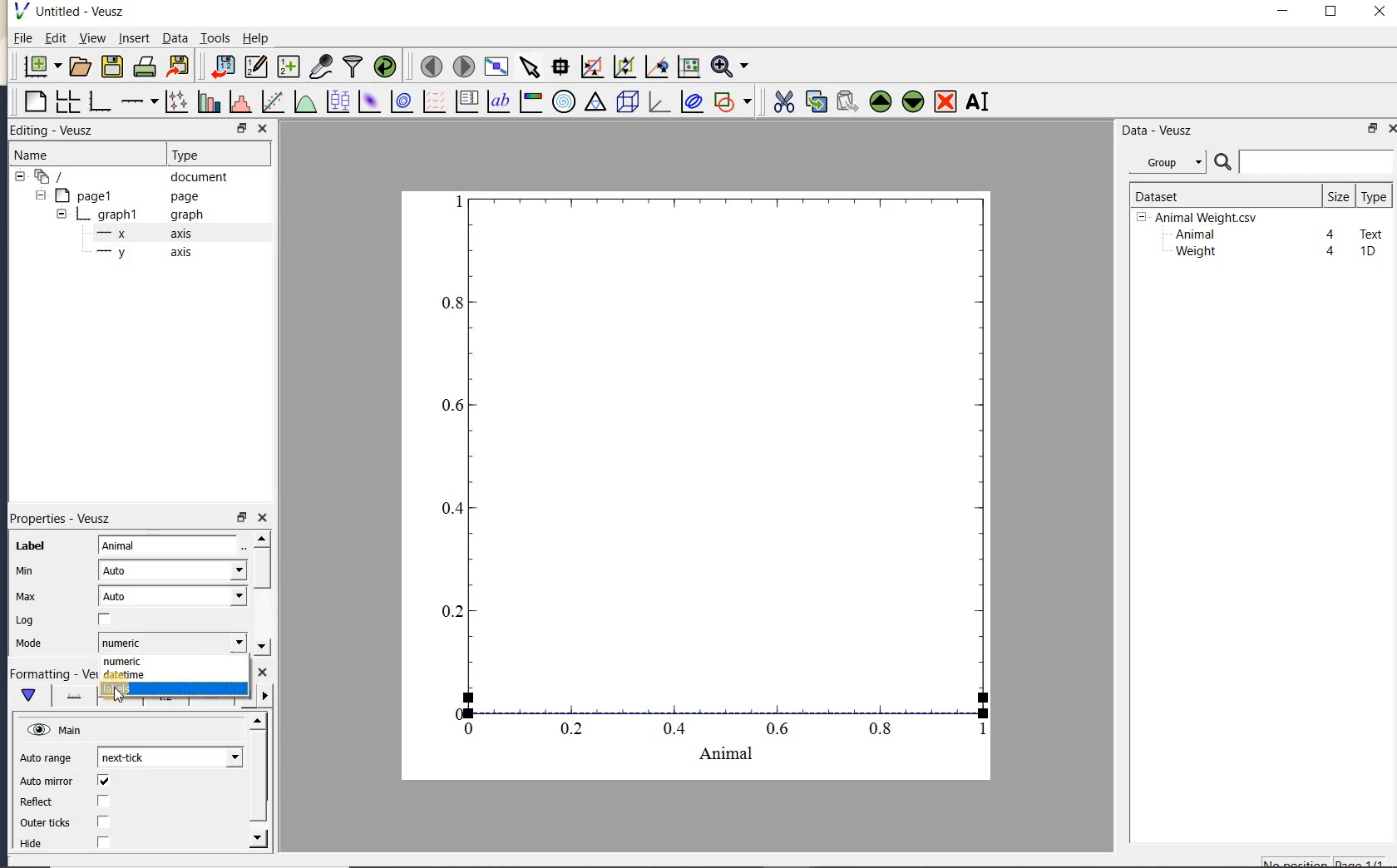  I want to click on 1D, so click(1367, 251).